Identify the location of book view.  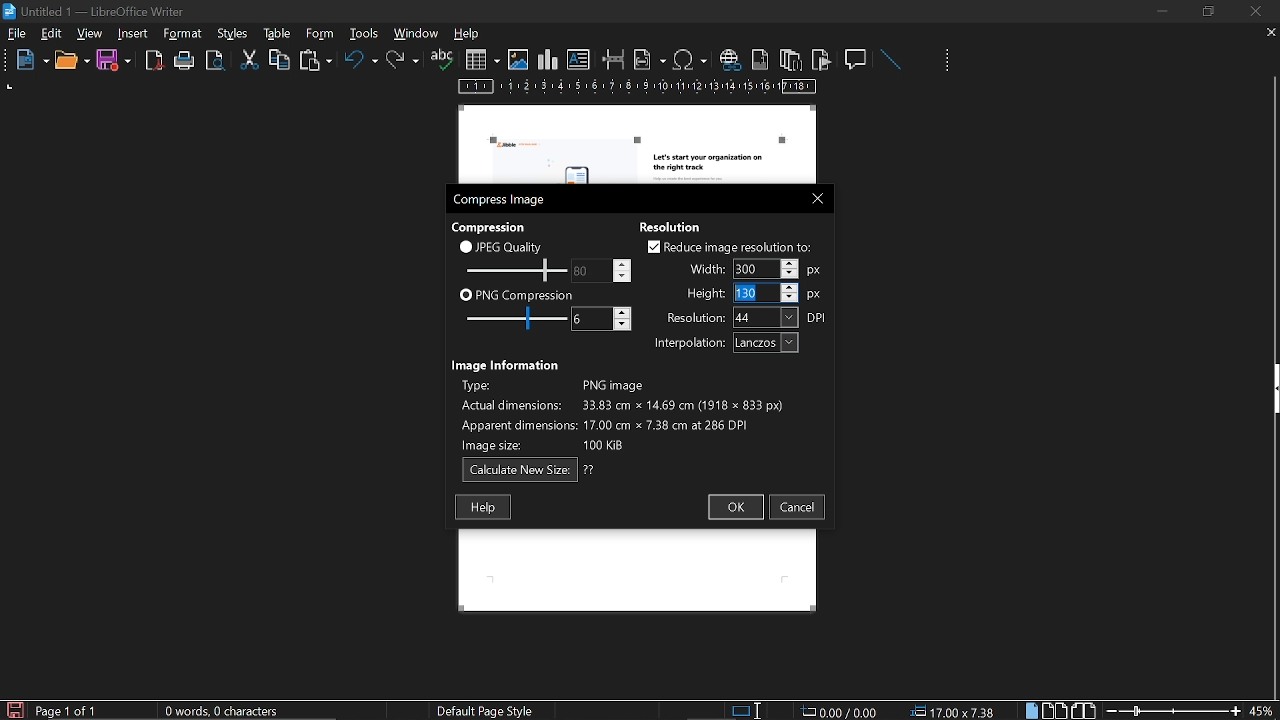
(1083, 711).